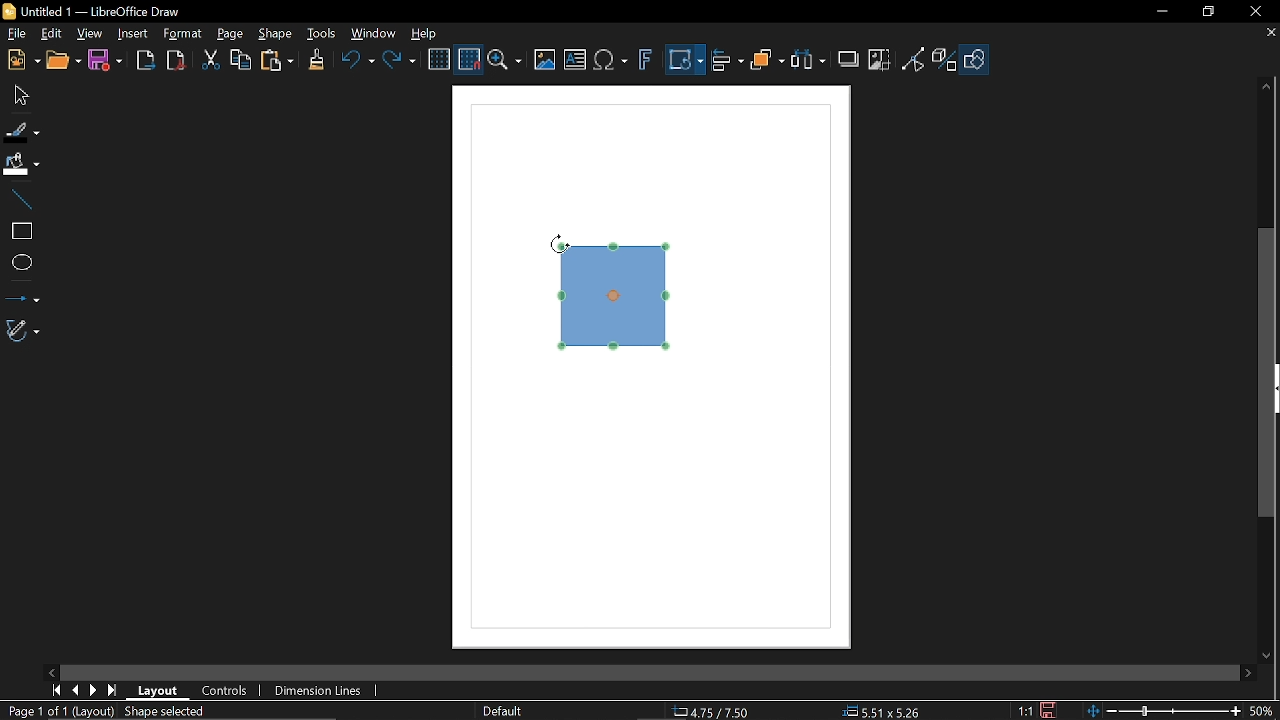 The image size is (1280, 720). What do you see at coordinates (546, 60) in the screenshot?
I see `Insert image` at bounding box center [546, 60].